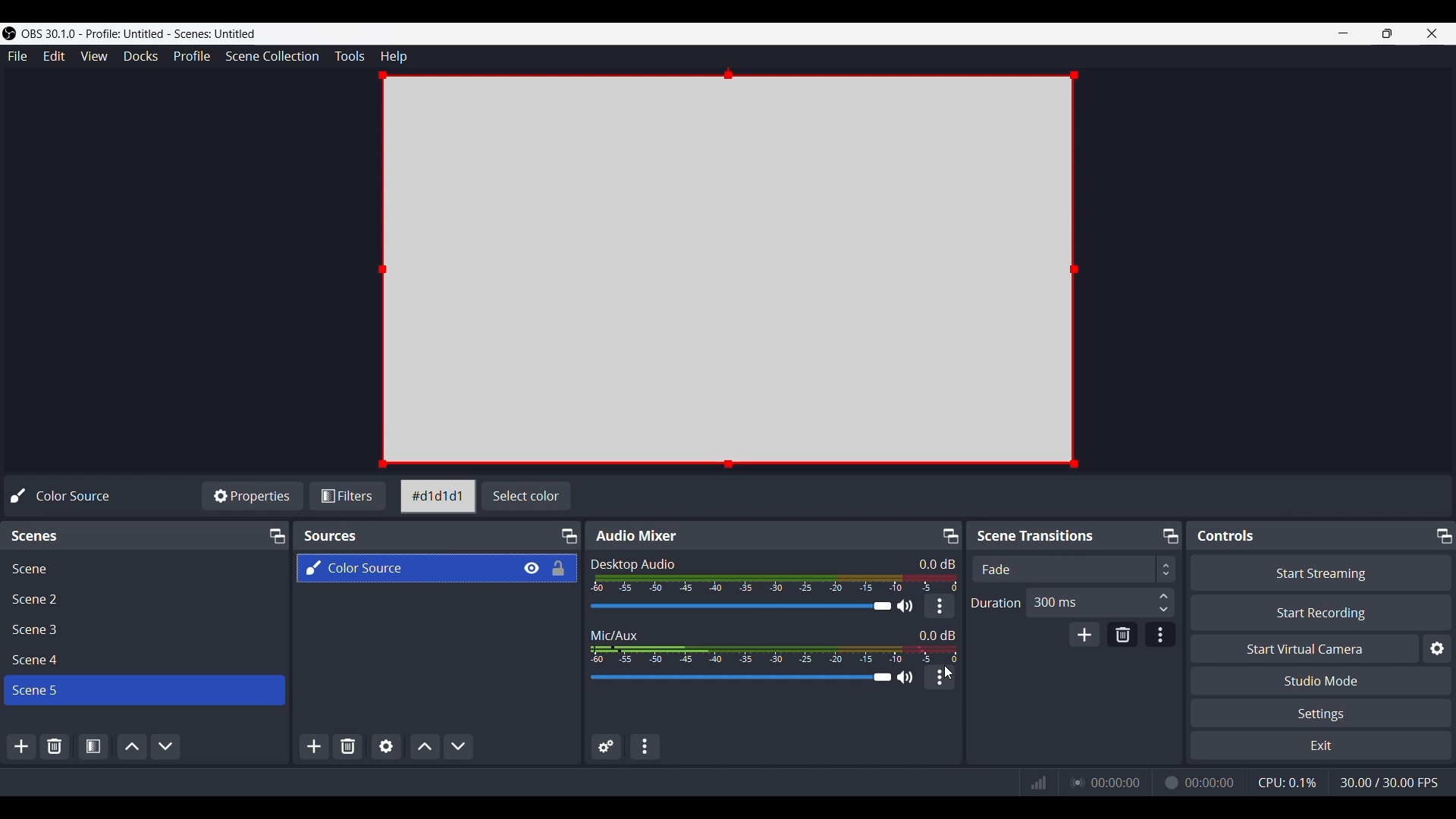 This screenshot has width=1456, height=819. What do you see at coordinates (140, 56) in the screenshot?
I see `Docks` at bounding box center [140, 56].